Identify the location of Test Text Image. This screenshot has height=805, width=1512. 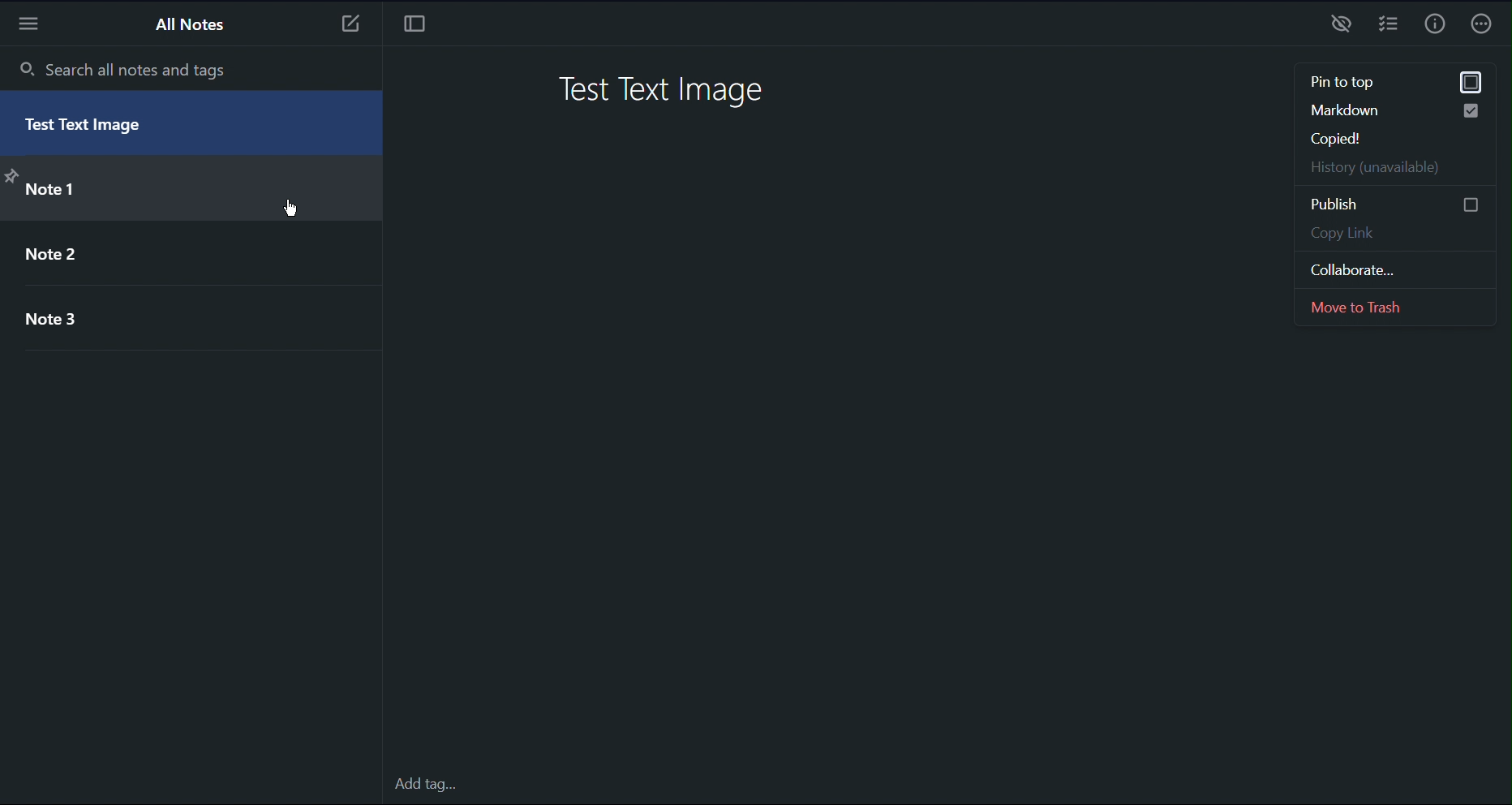
(672, 92).